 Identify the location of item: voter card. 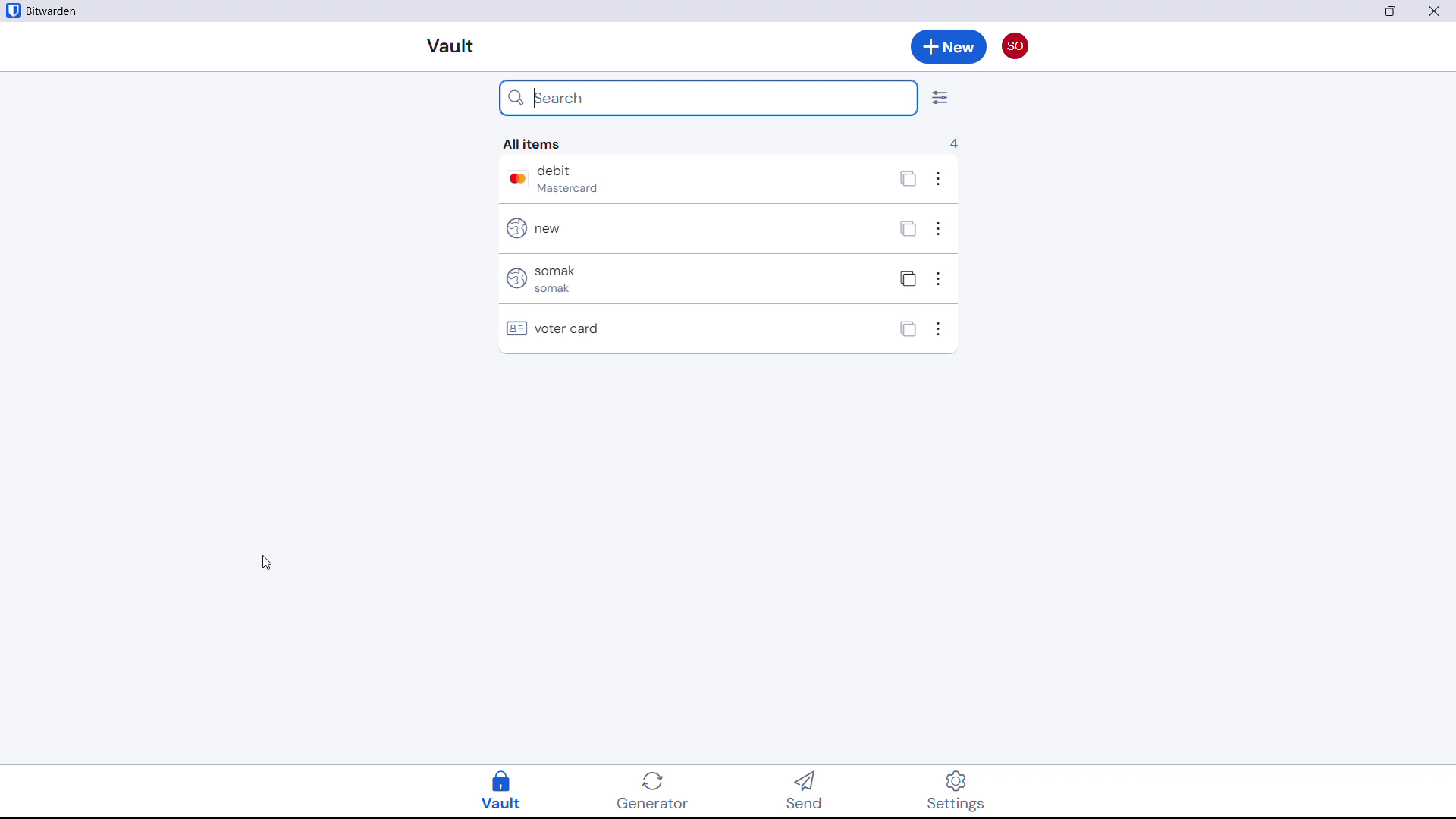
(705, 325).